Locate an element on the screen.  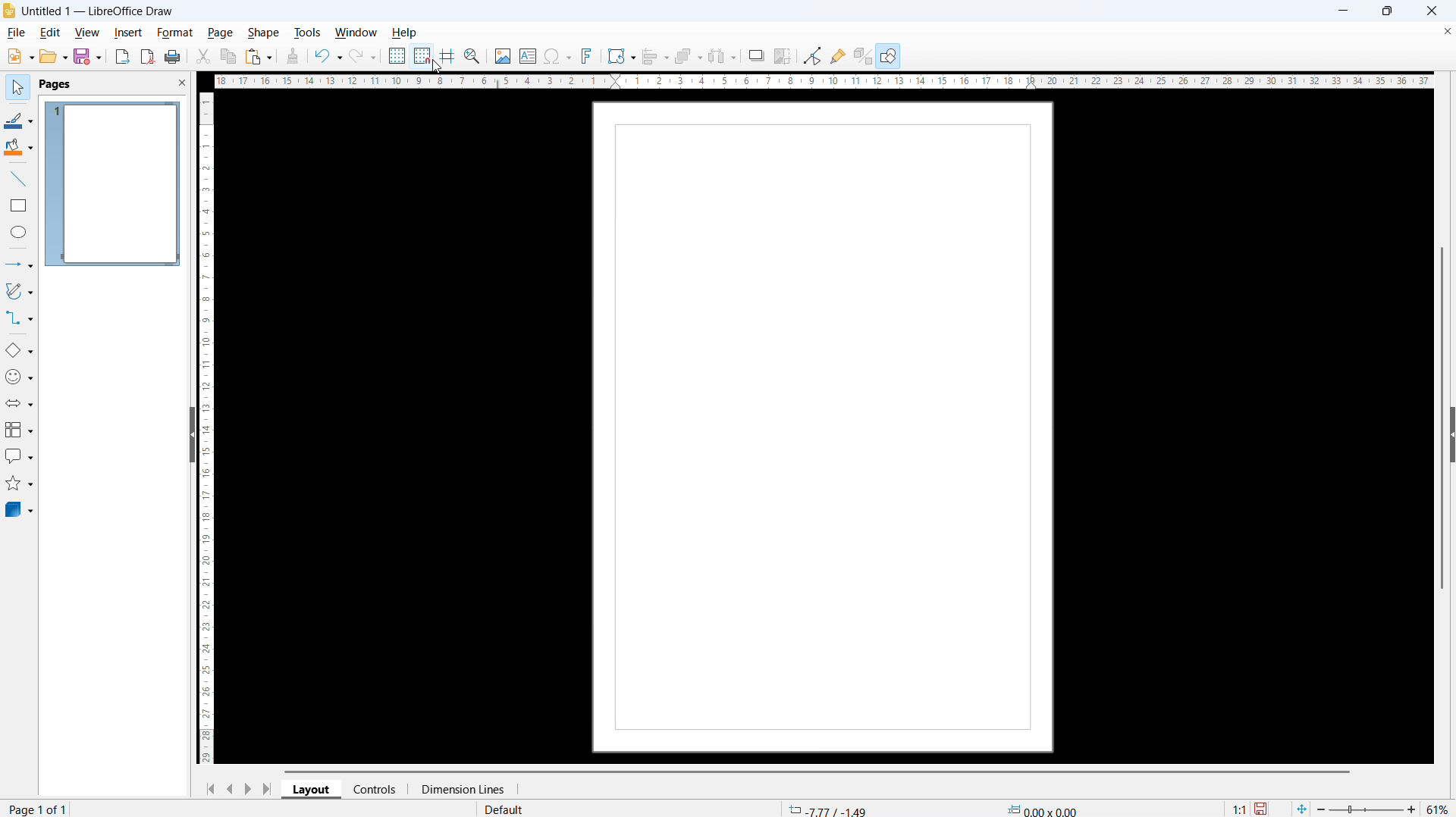
Close document  is located at coordinates (1447, 30).